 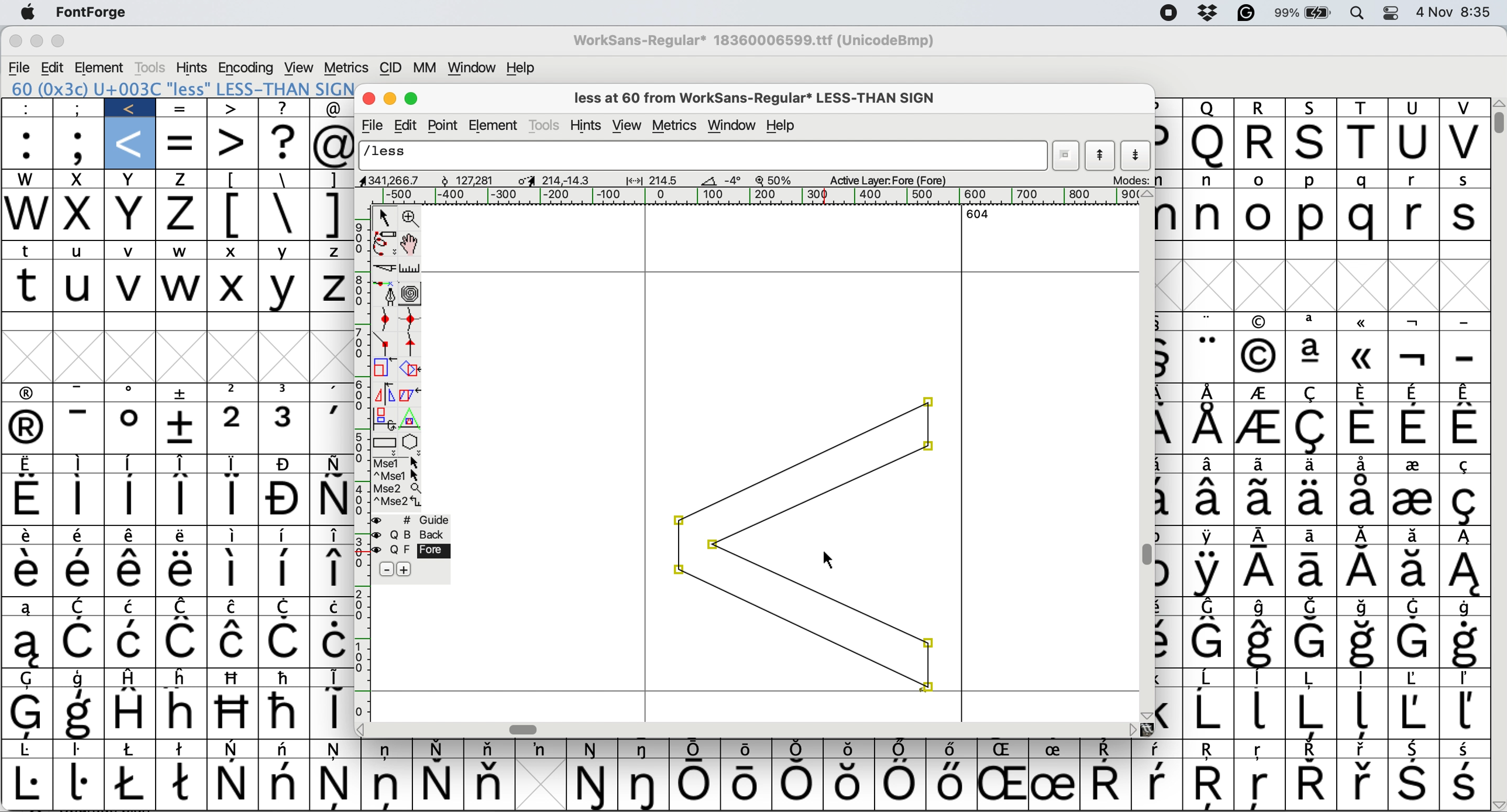 I want to click on rectangle or ellipse, so click(x=383, y=441).